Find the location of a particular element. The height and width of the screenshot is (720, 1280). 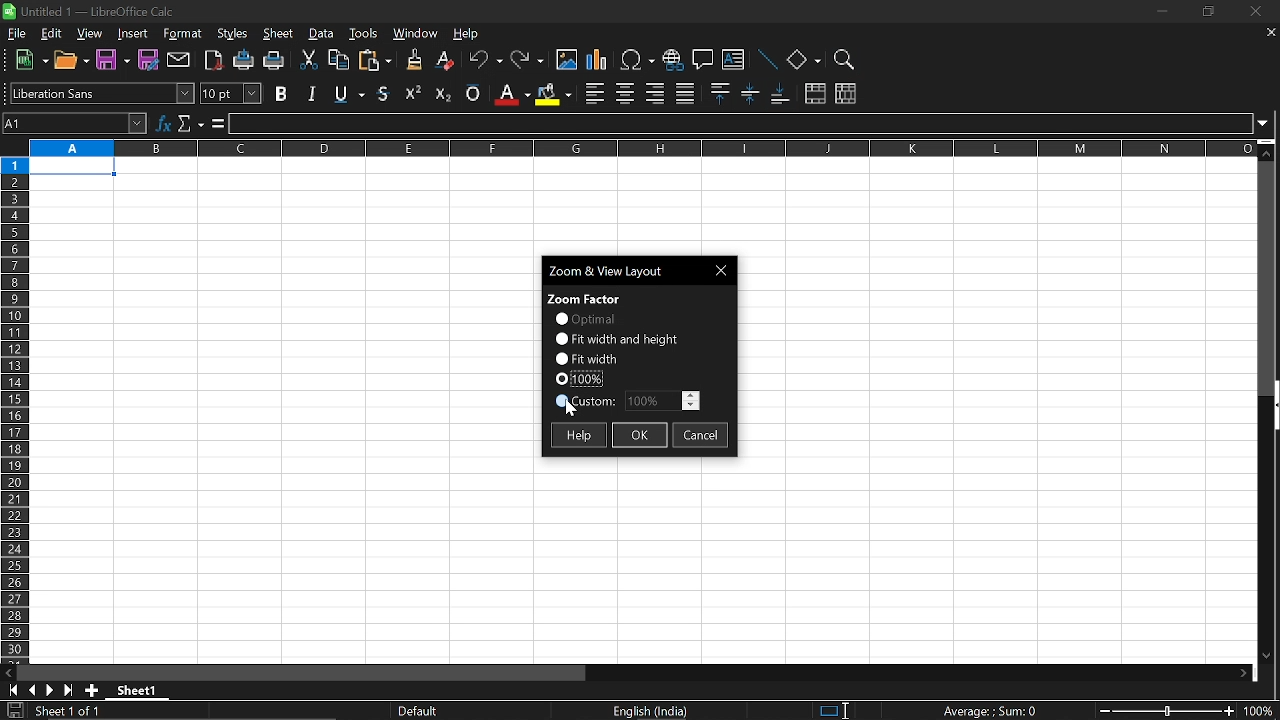

overline is located at coordinates (473, 91).